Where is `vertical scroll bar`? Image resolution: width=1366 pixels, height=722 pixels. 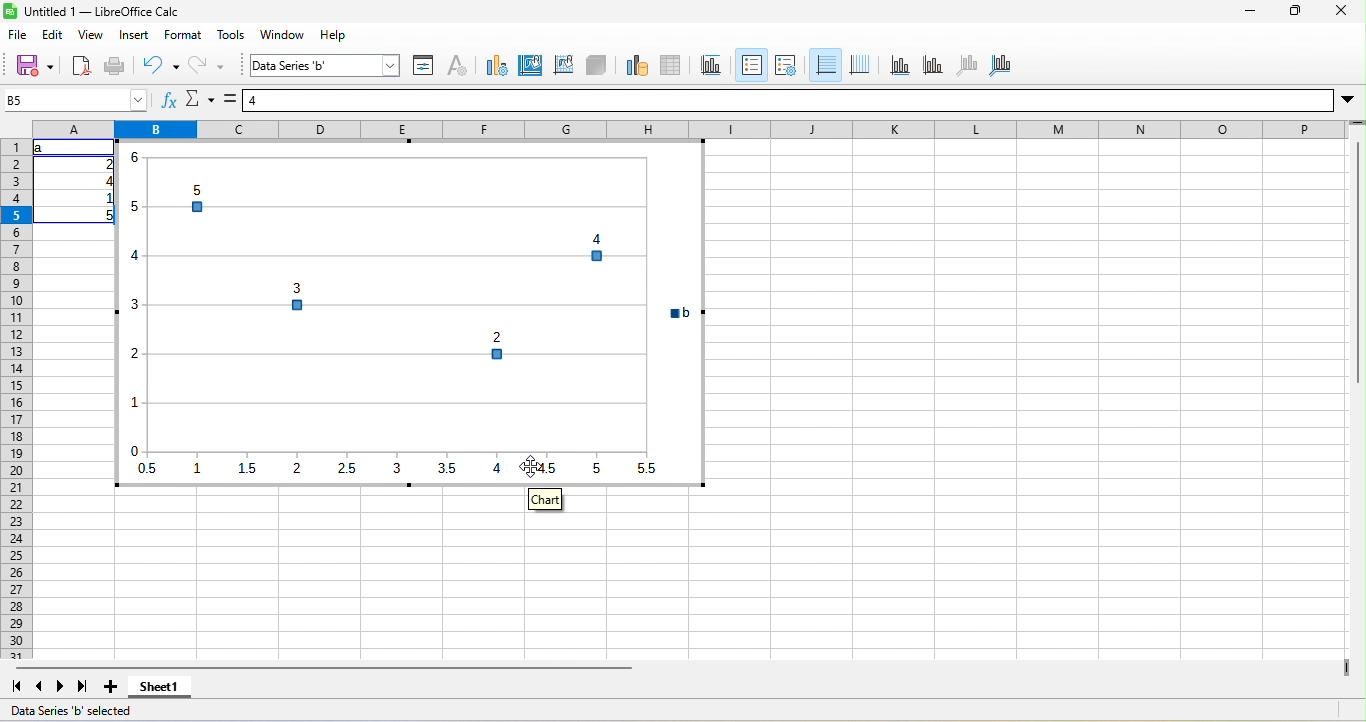 vertical scroll bar is located at coordinates (1357, 256).